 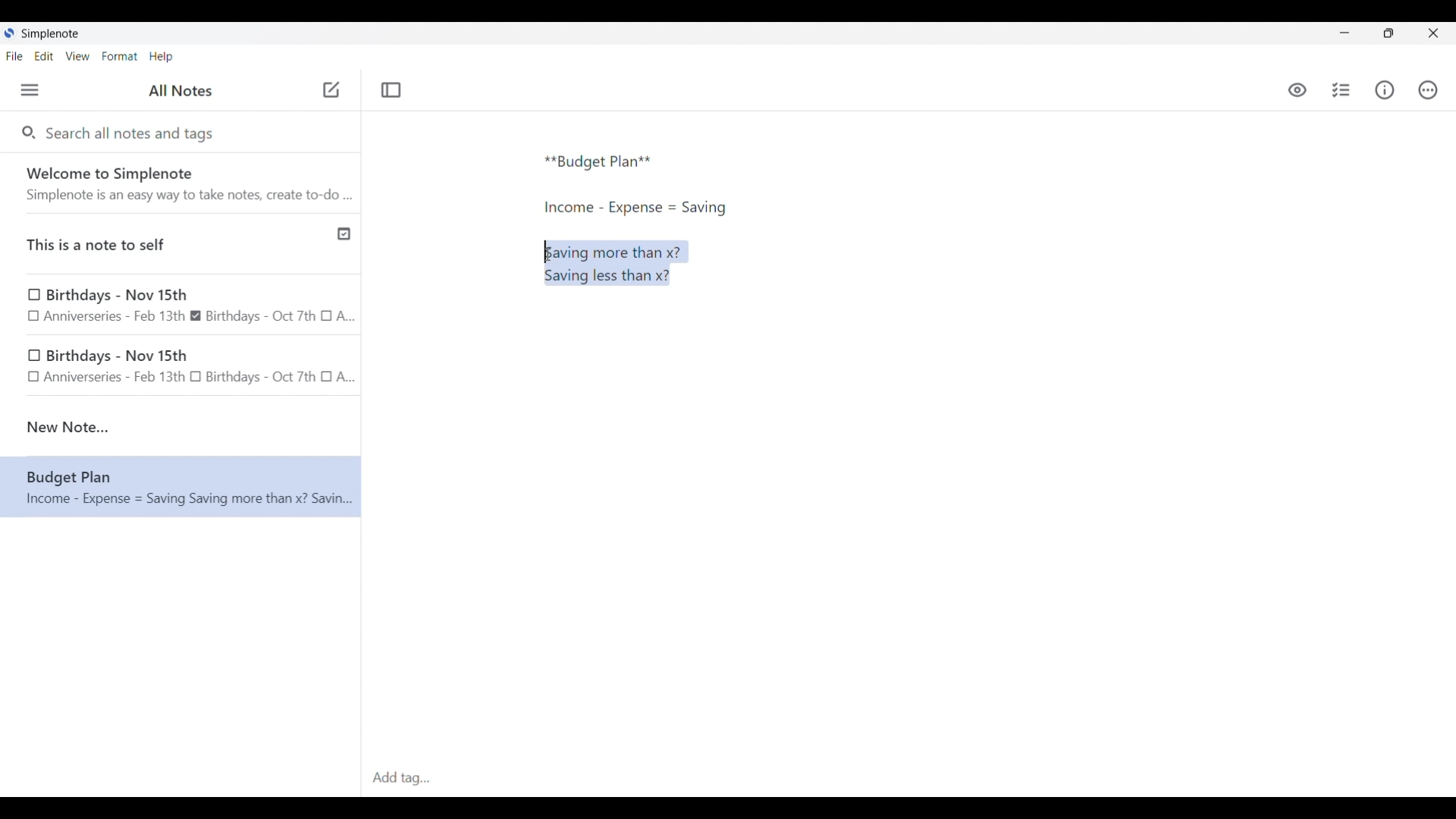 What do you see at coordinates (181, 304) in the screenshot?
I see `Birthday note` at bounding box center [181, 304].